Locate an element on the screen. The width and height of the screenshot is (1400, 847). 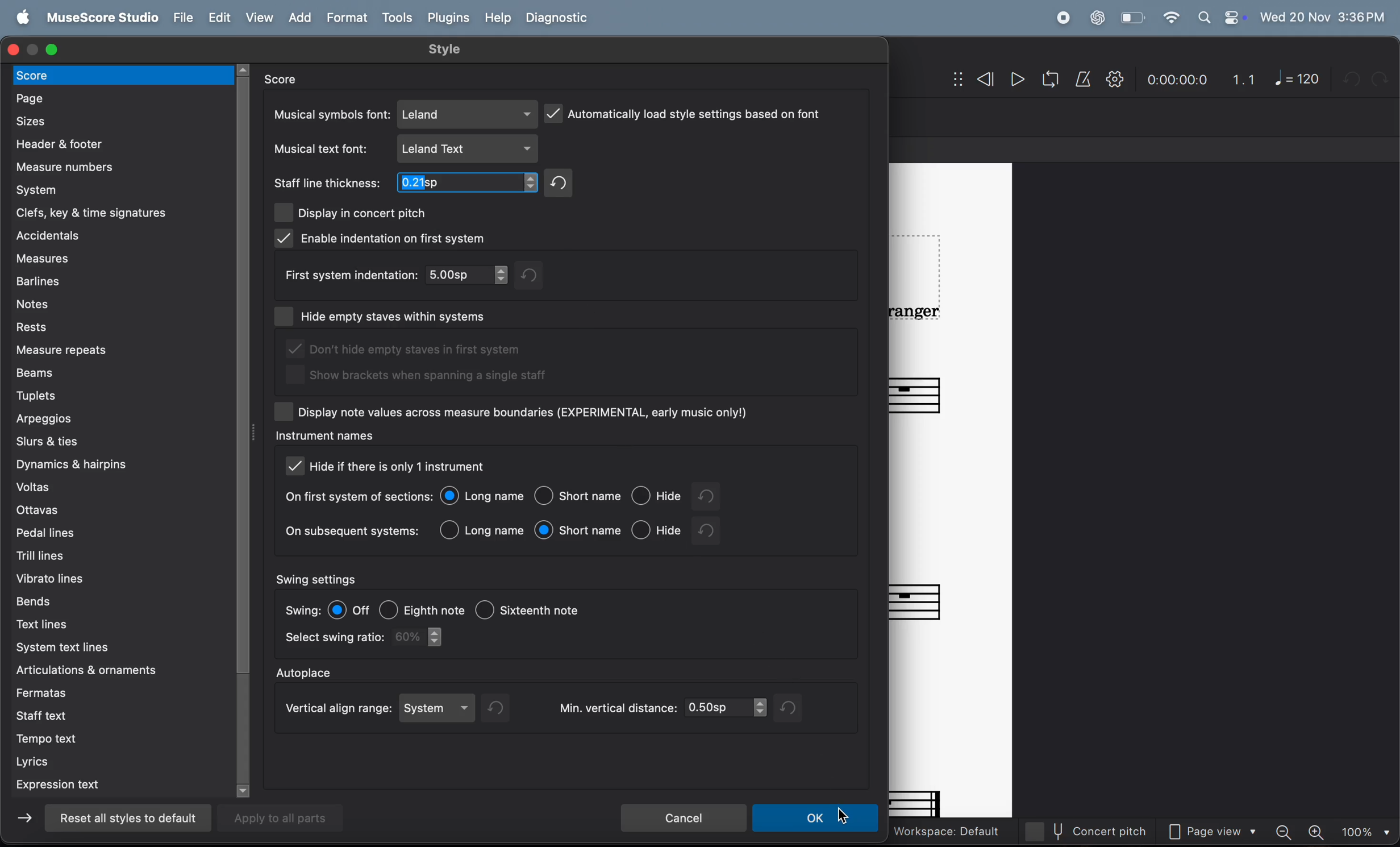
notes is located at coordinates (113, 302).